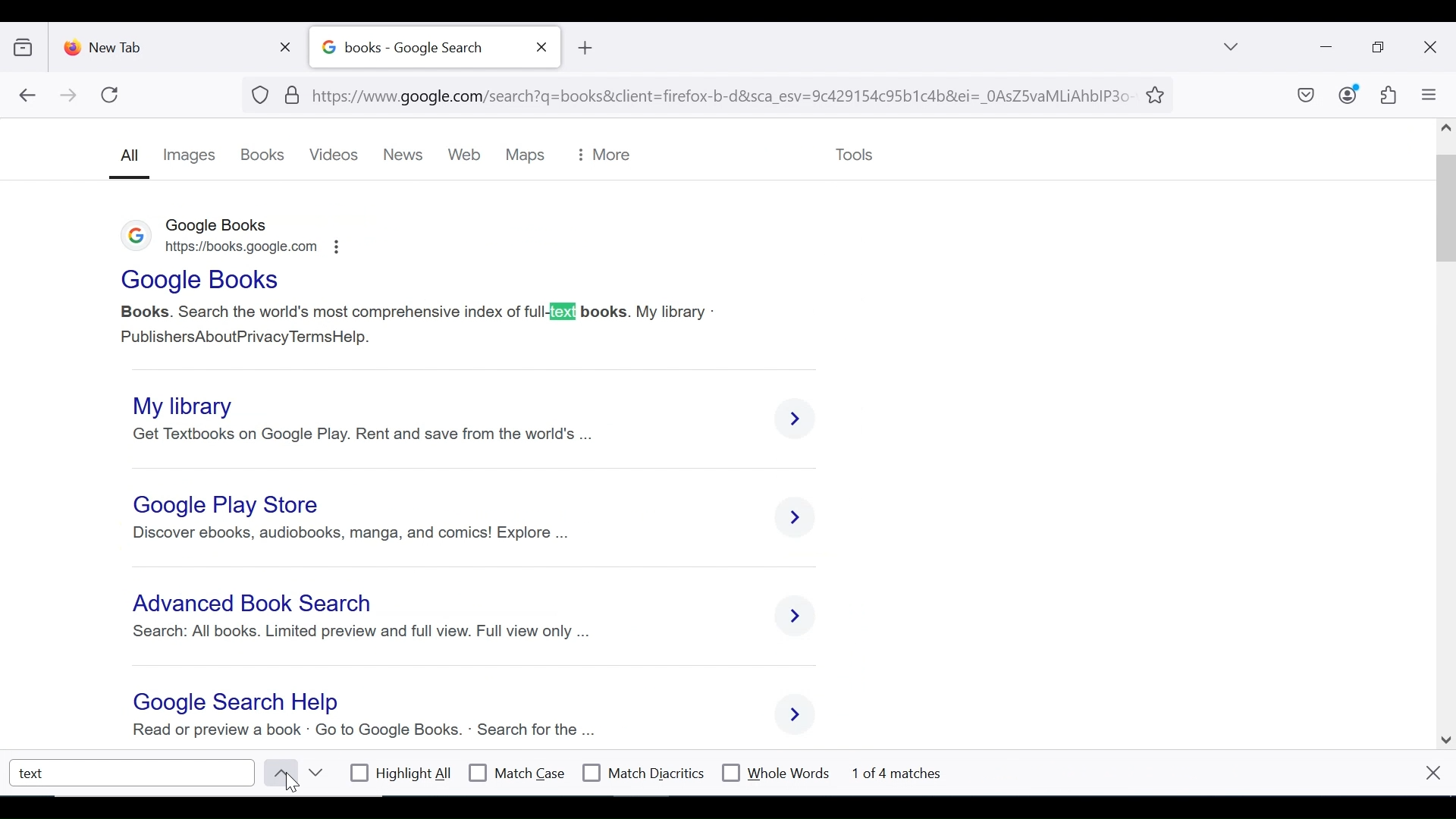 The width and height of the screenshot is (1456, 819). What do you see at coordinates (775, 771) in the screenshot?
I see `whole words` at bounding box center [775, 771].